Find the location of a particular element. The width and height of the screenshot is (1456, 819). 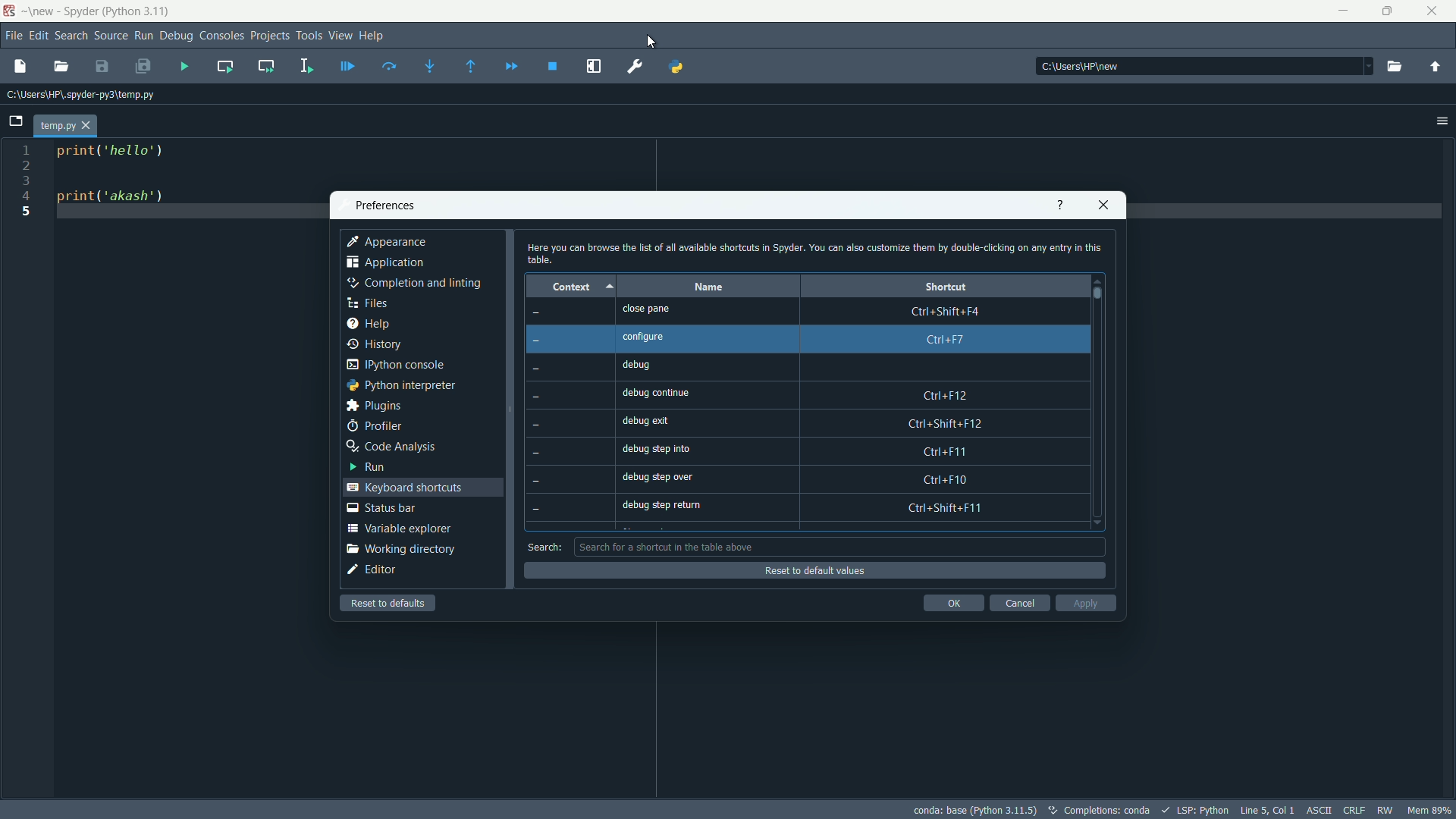

app name is located at coordinates (98, 13).